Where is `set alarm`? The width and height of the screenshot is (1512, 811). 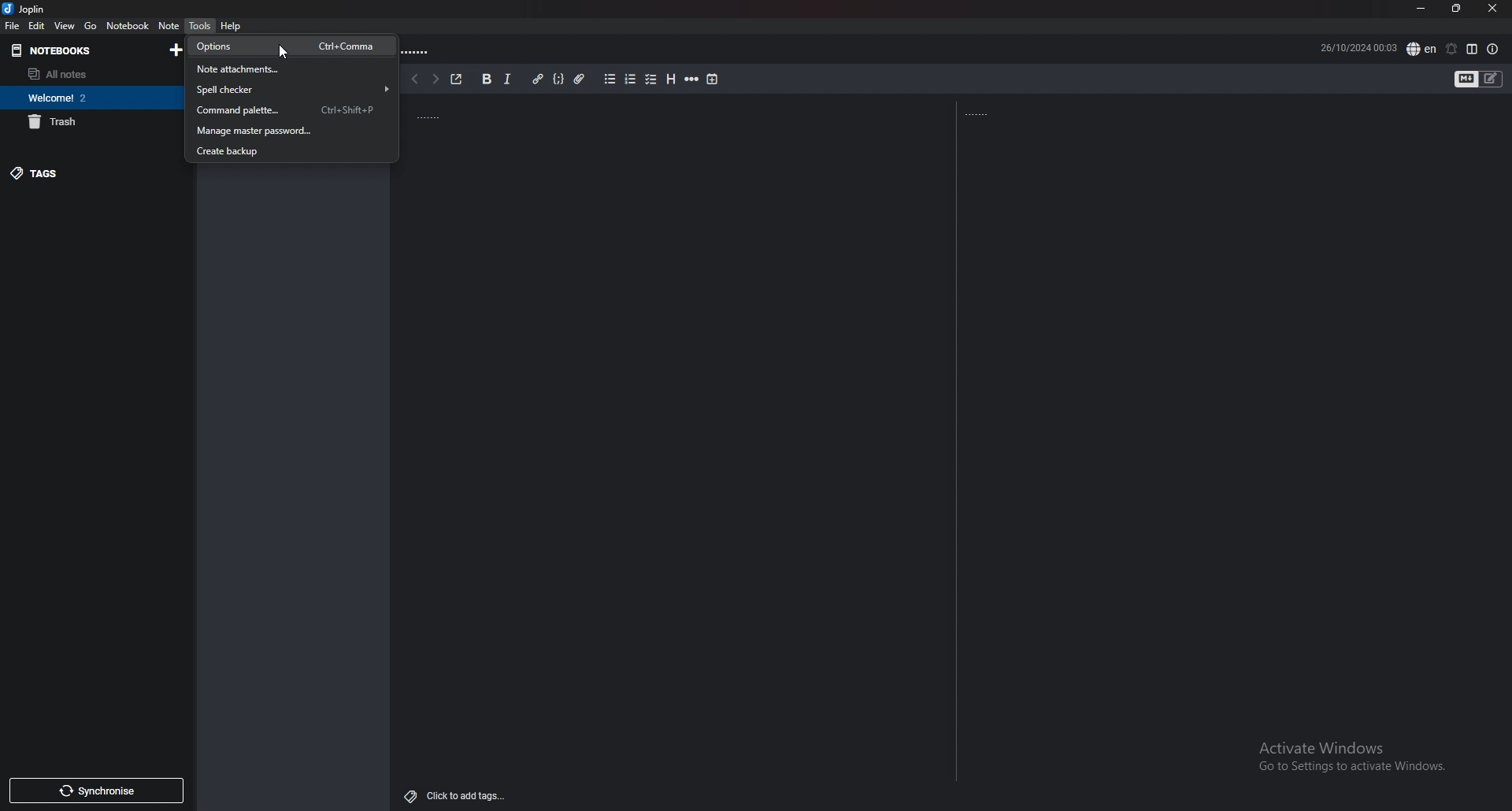 set alarm is located at coordinates (1453, 49).